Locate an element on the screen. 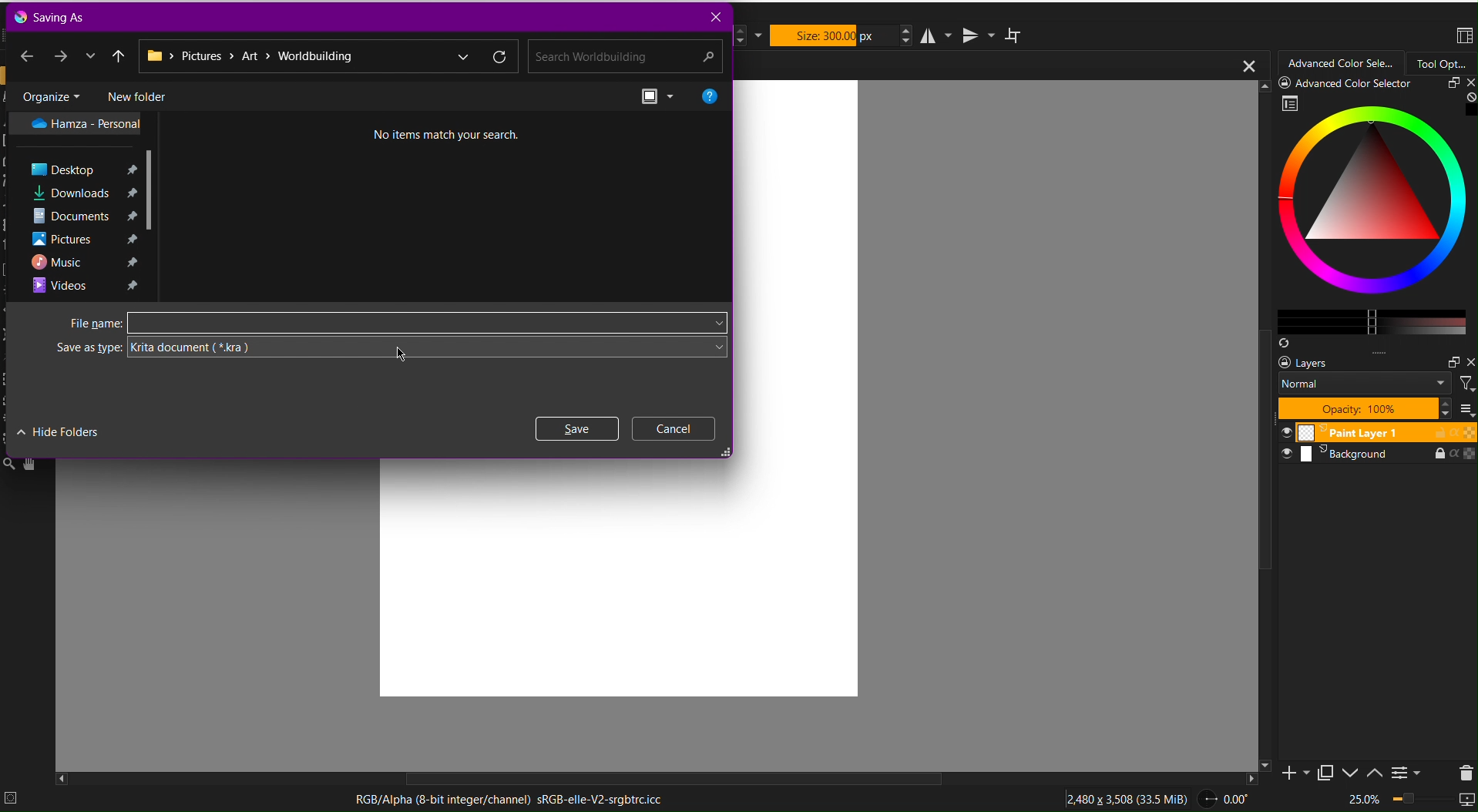 The height and width of the screenshot is (812, 1478). Layer Settings is located at coordinates (1374, 386).